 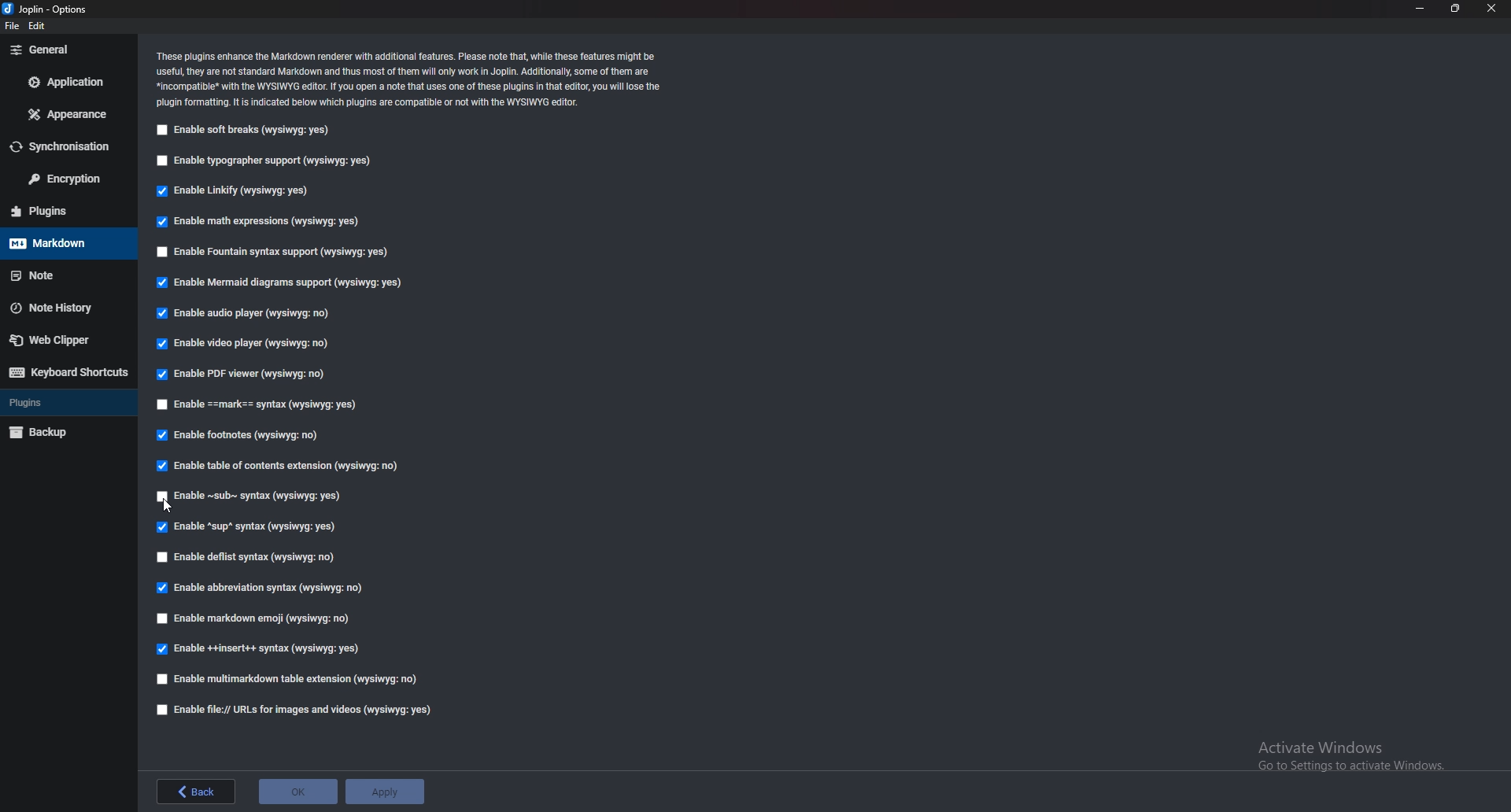 What do you see at coordinates (40, 26) in the screenshot?
I see `edit` at bounding box center [40, 26].